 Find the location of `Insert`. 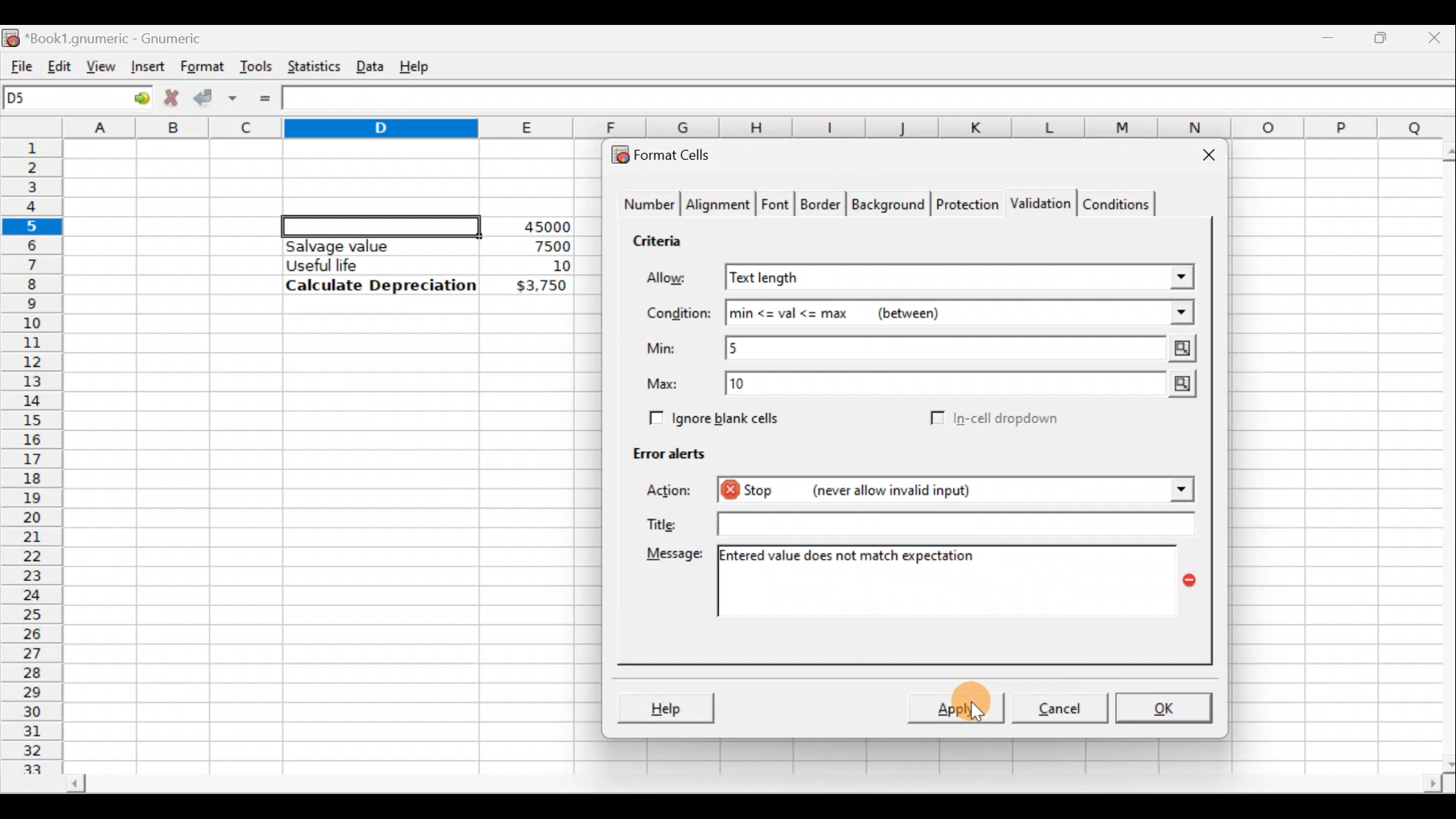

Insert is located at coordinates (146, 66).